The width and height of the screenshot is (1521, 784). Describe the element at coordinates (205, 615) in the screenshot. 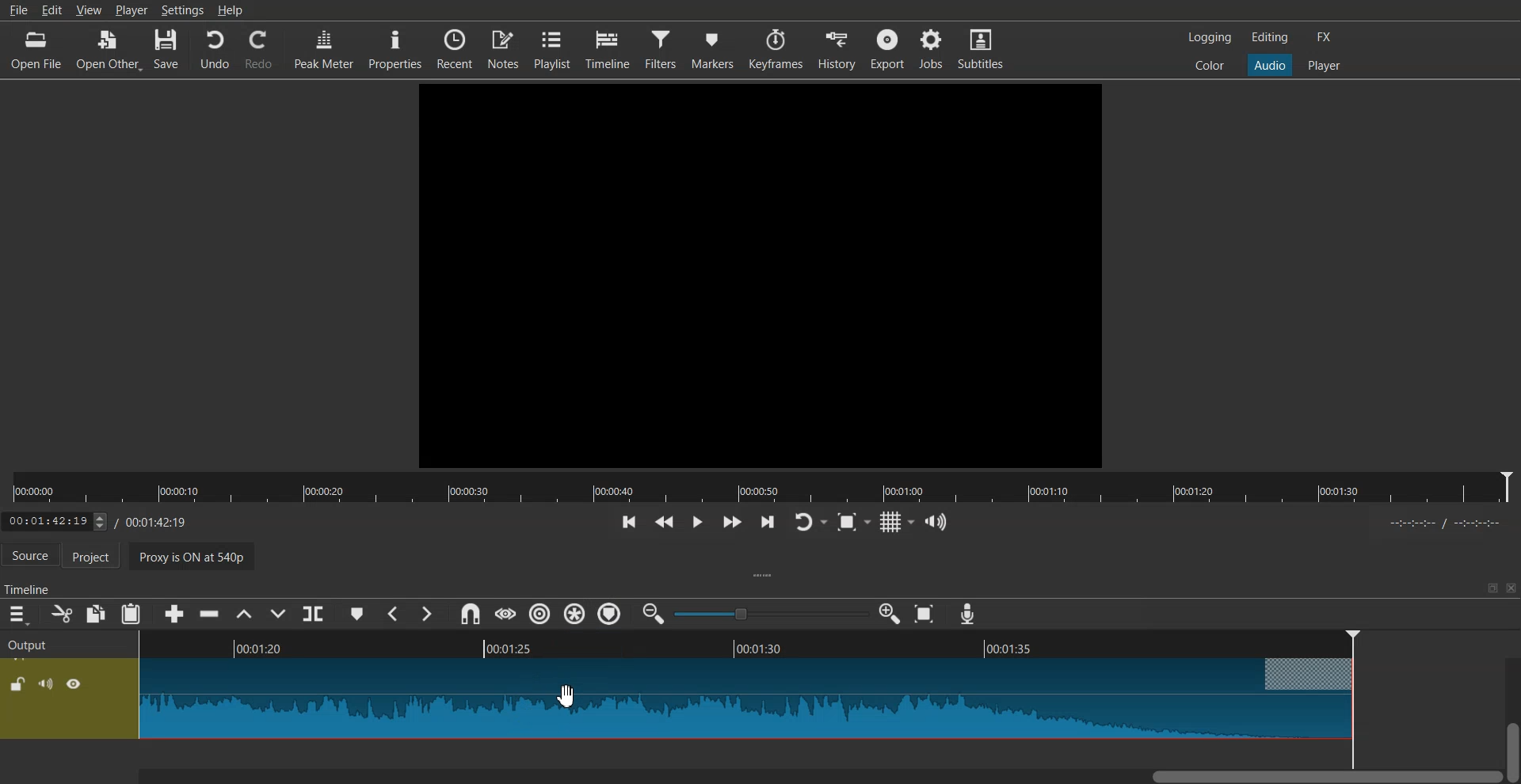

I see `Ripple Delete` at that location.